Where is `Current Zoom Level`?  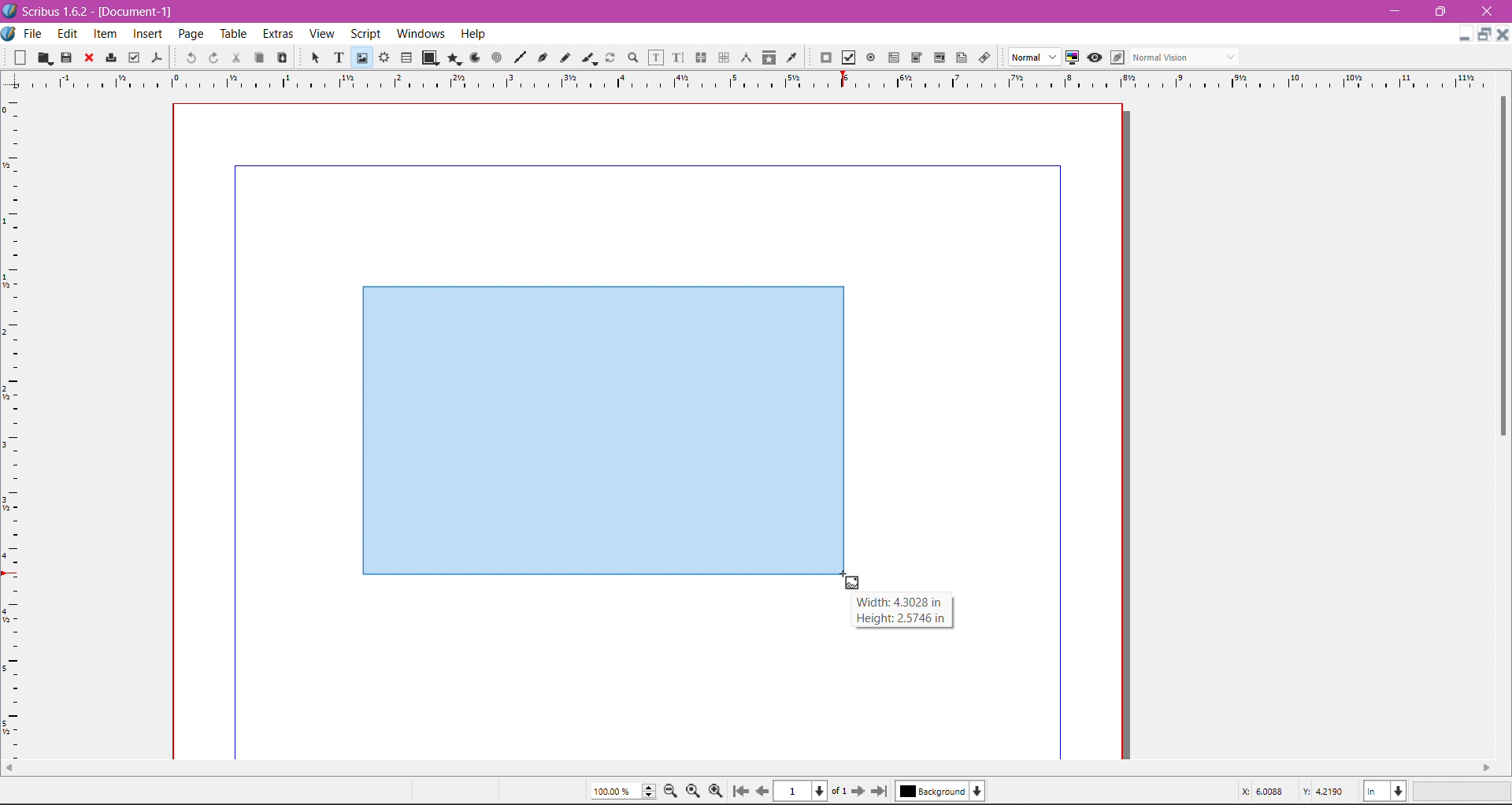 Current Zoom Level is located at coordinates (624, 791).